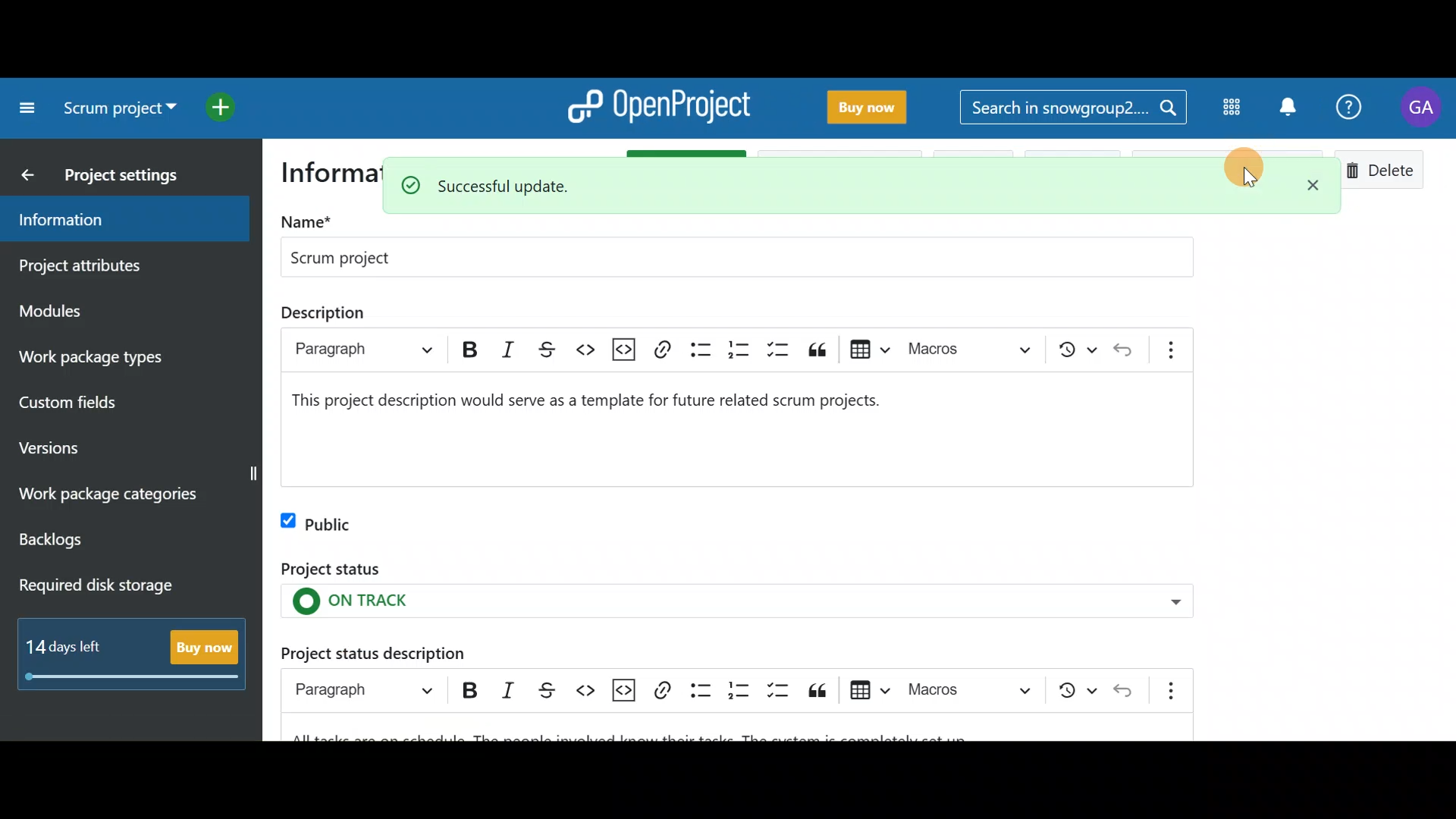 This screenshot has height=819, width=1456. What do you see at coordinates (661, 692) in the screenshot?
I see `Link` at bounding box center [661, 692].